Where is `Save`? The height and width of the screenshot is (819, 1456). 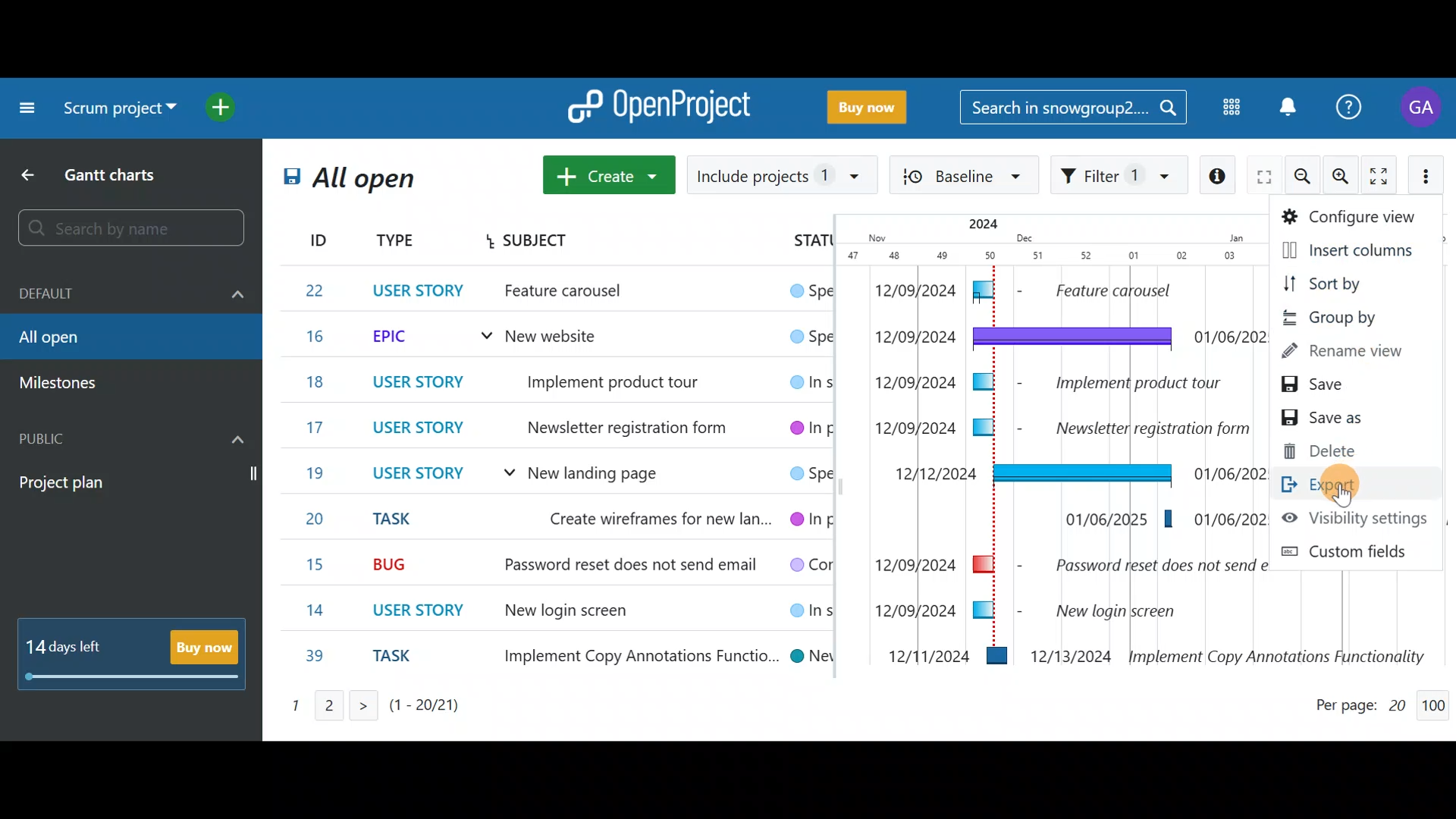
Save is located at coordinates (1334, 385).